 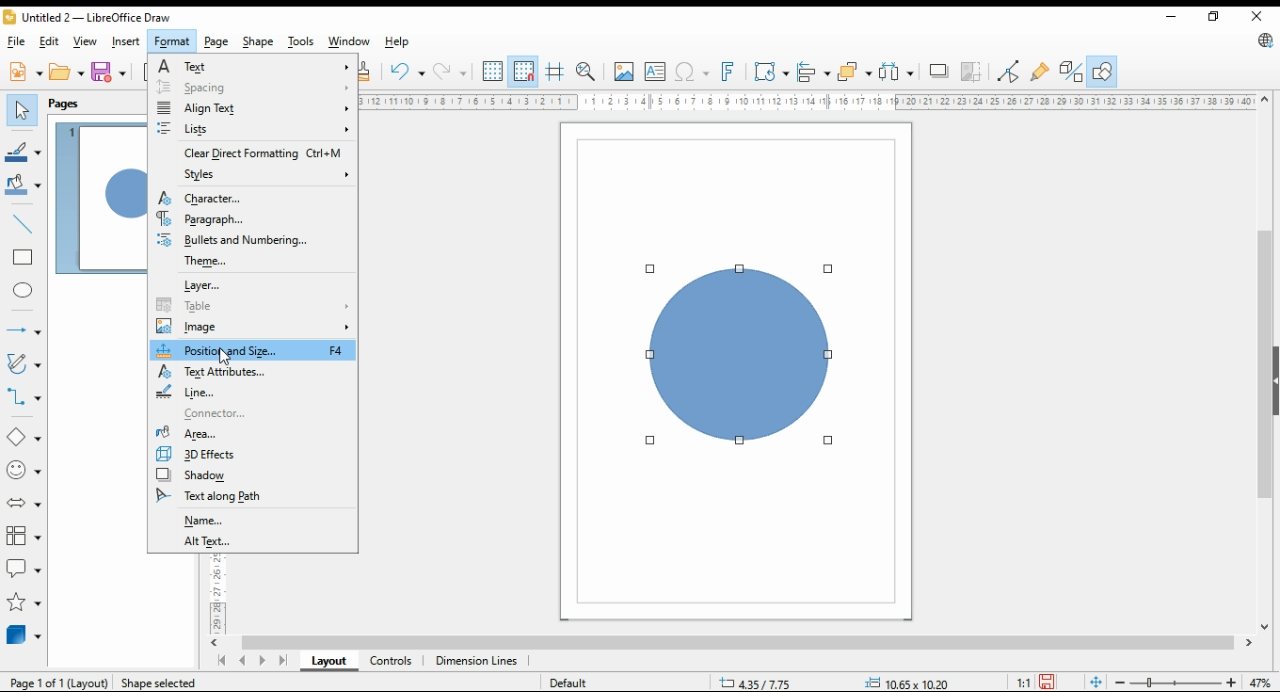 I want to click on mouse pointer, so click(x=222, y=356).